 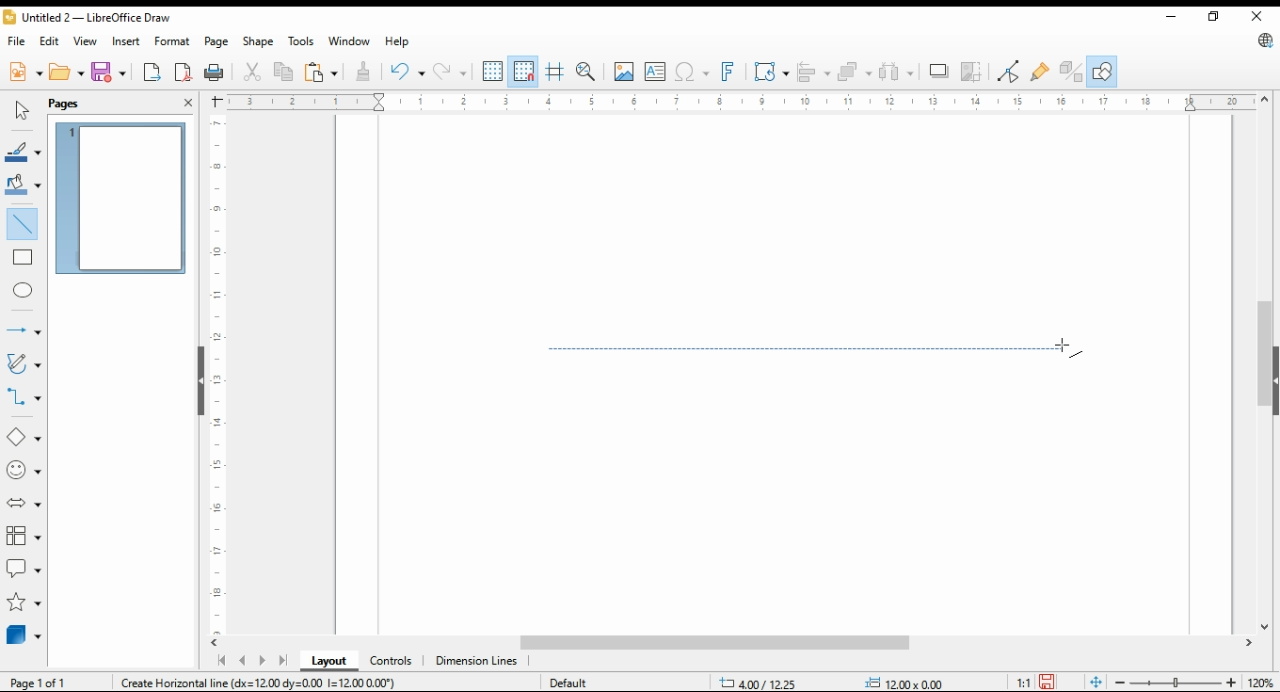 What do you see at coordinates (1069, 349) in the screenshot?
I see `mouse pointer` at bounding box center [1069, 349].